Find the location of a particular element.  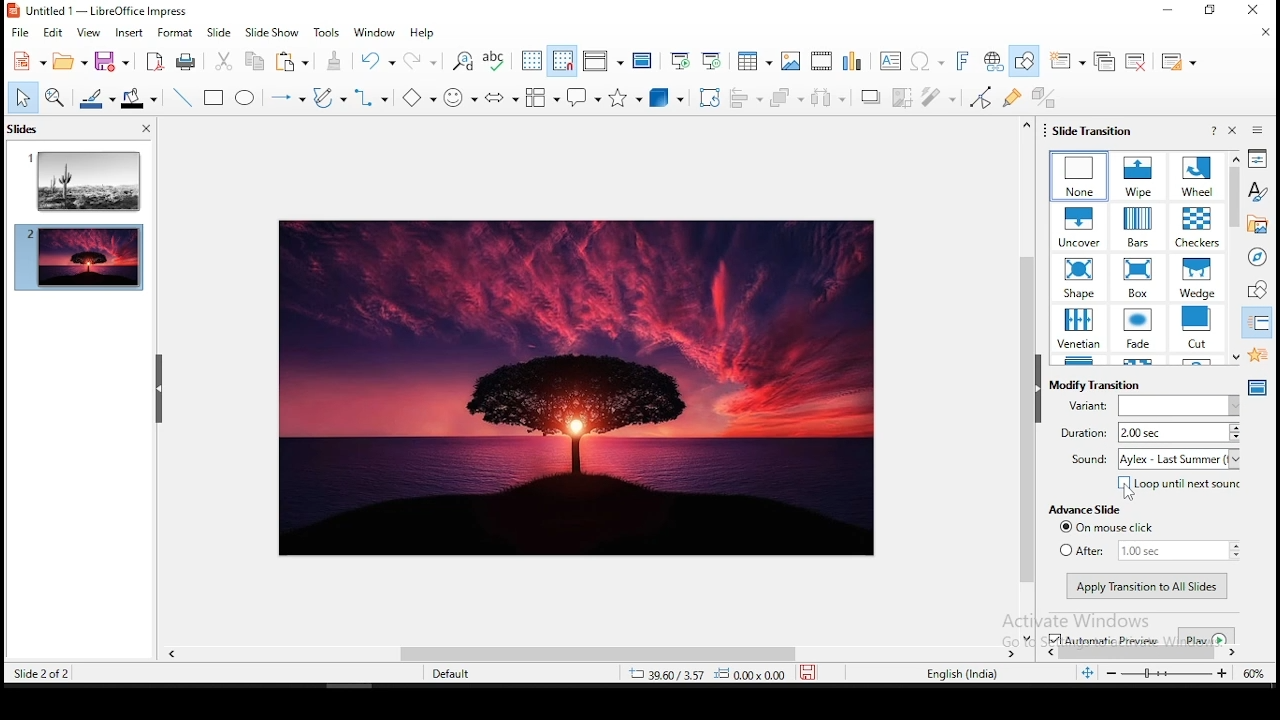

transition effects is located at coordinates (1080, 279).